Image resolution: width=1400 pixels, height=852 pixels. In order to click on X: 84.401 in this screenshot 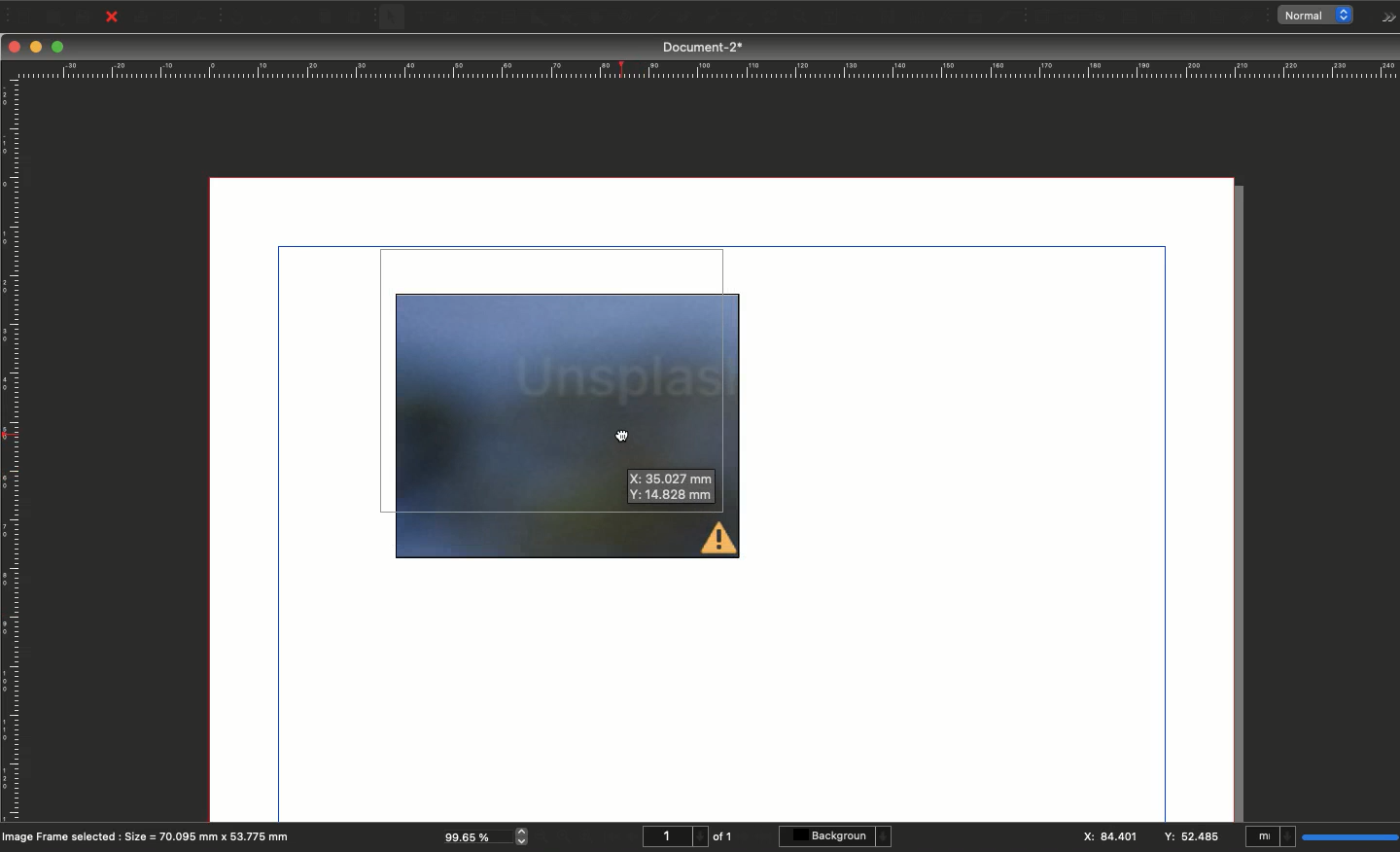, I will do `click(1110, 834)`.